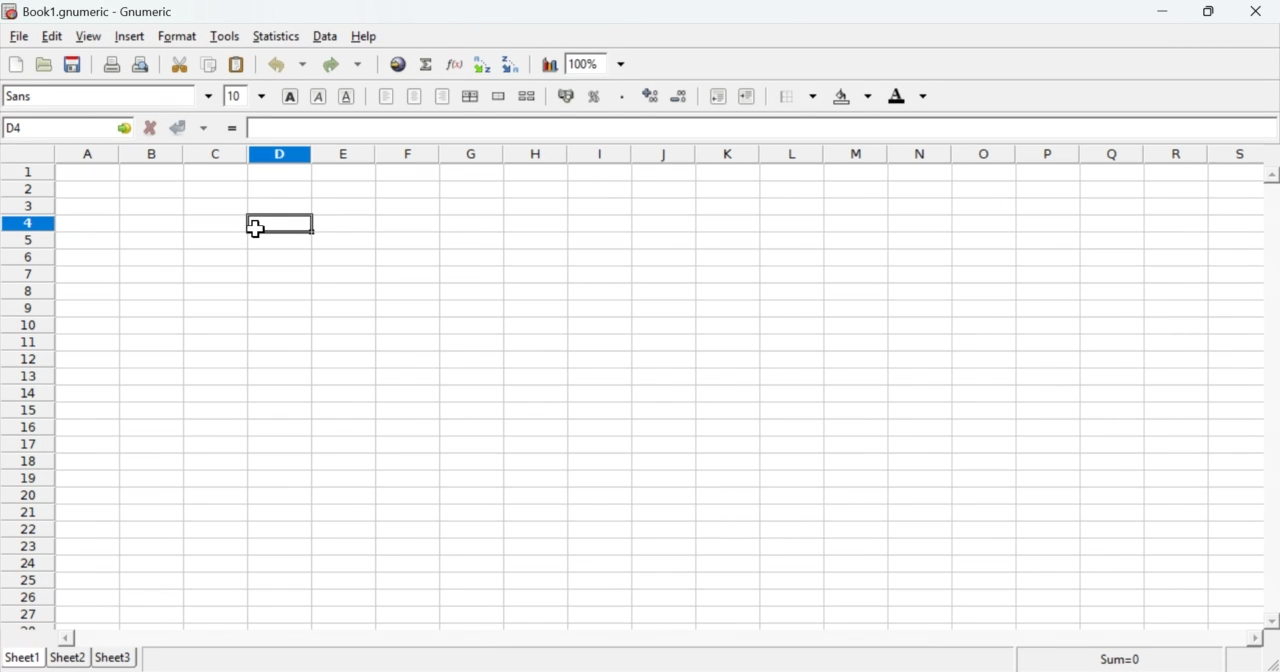 Image resolution: width=1280 pixels, height=672 pixels. Describe the element at coordinates (442, 96) in the screenshot. I see `Center horizontally` at that location.